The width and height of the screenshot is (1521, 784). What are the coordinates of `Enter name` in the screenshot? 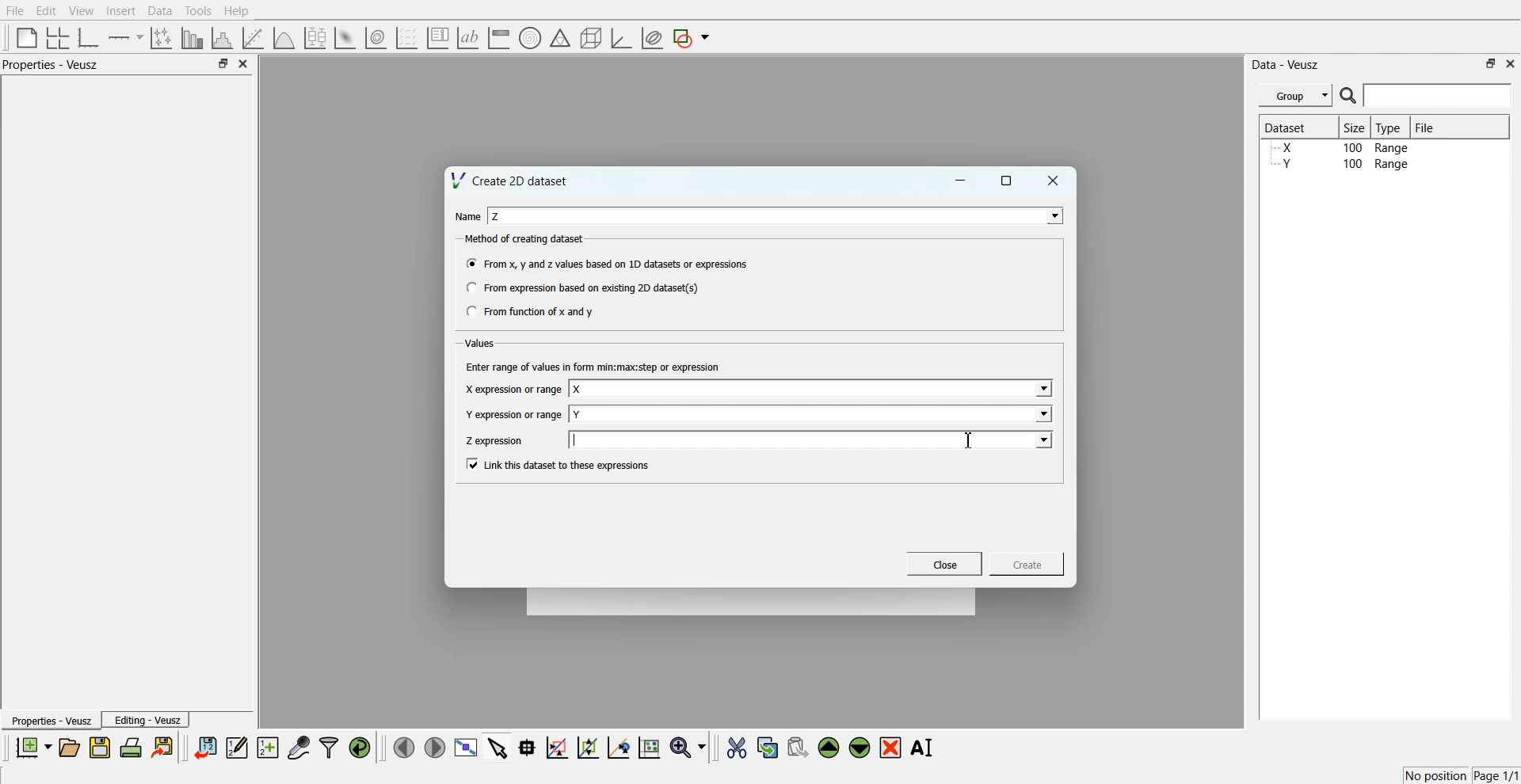 It's located at (778, 215).